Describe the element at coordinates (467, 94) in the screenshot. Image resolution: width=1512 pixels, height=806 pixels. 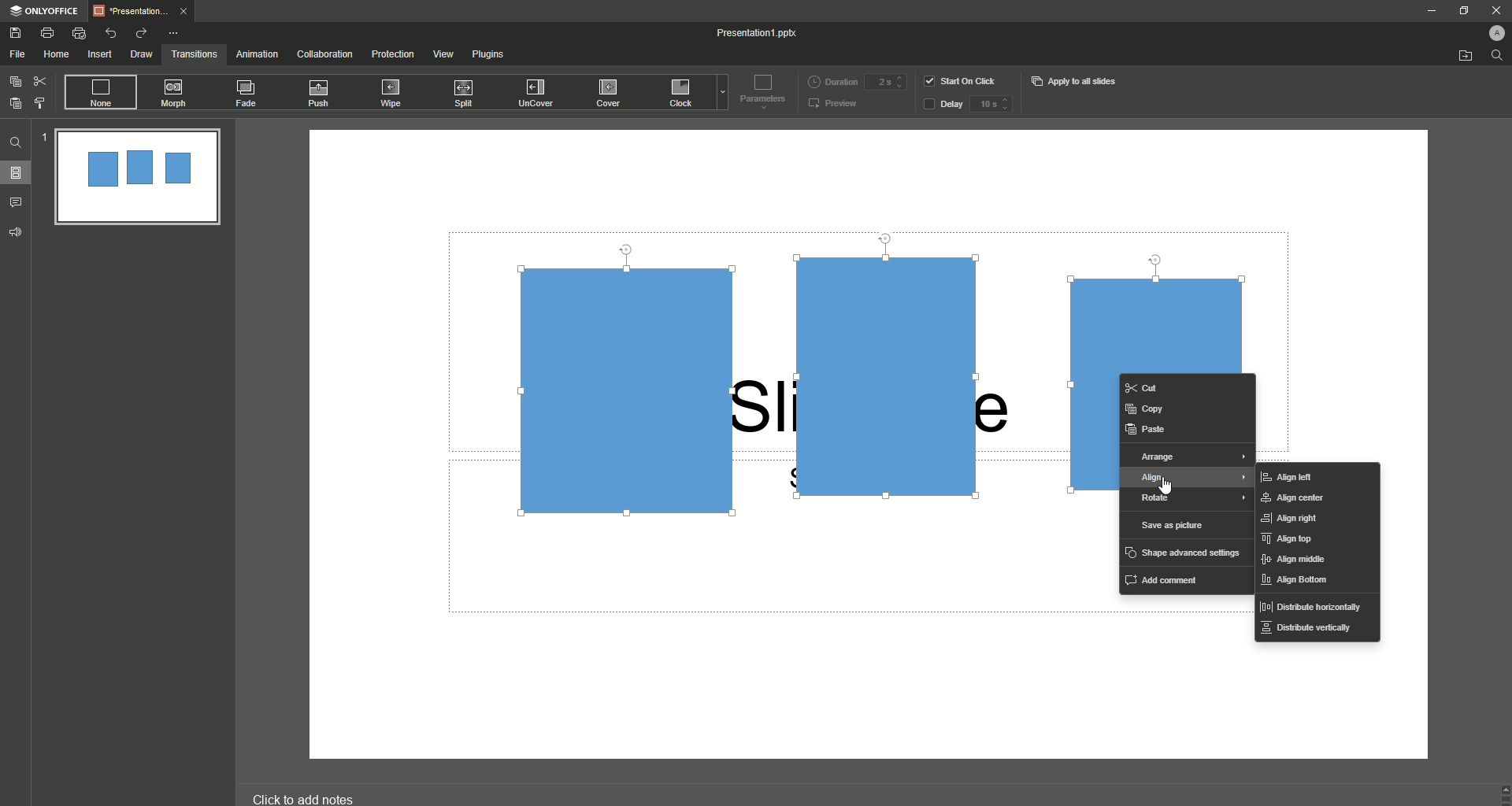
I see `Split` at that location.